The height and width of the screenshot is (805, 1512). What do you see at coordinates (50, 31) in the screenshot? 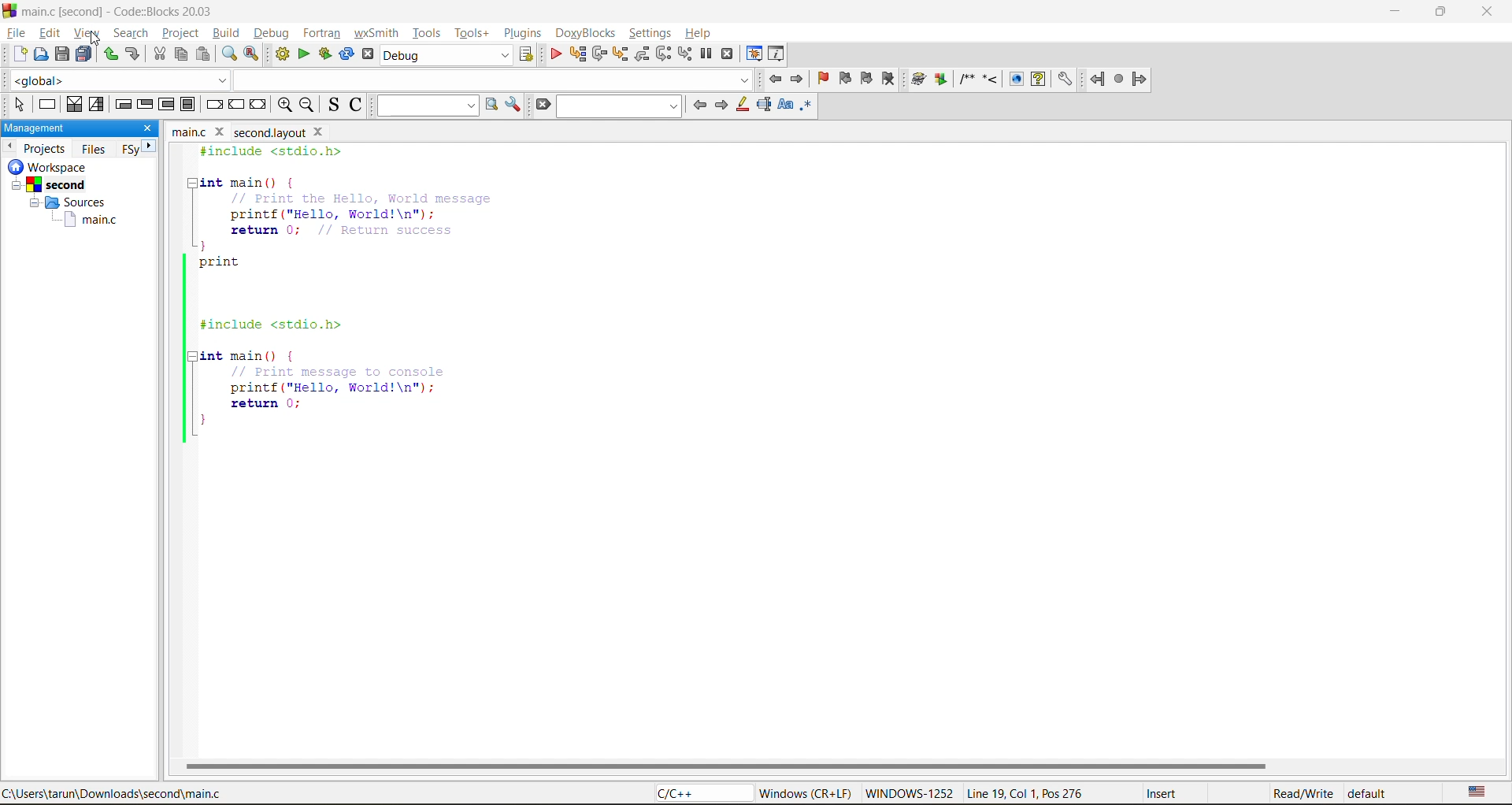
I see `edit` at bounding box center [50, 31].